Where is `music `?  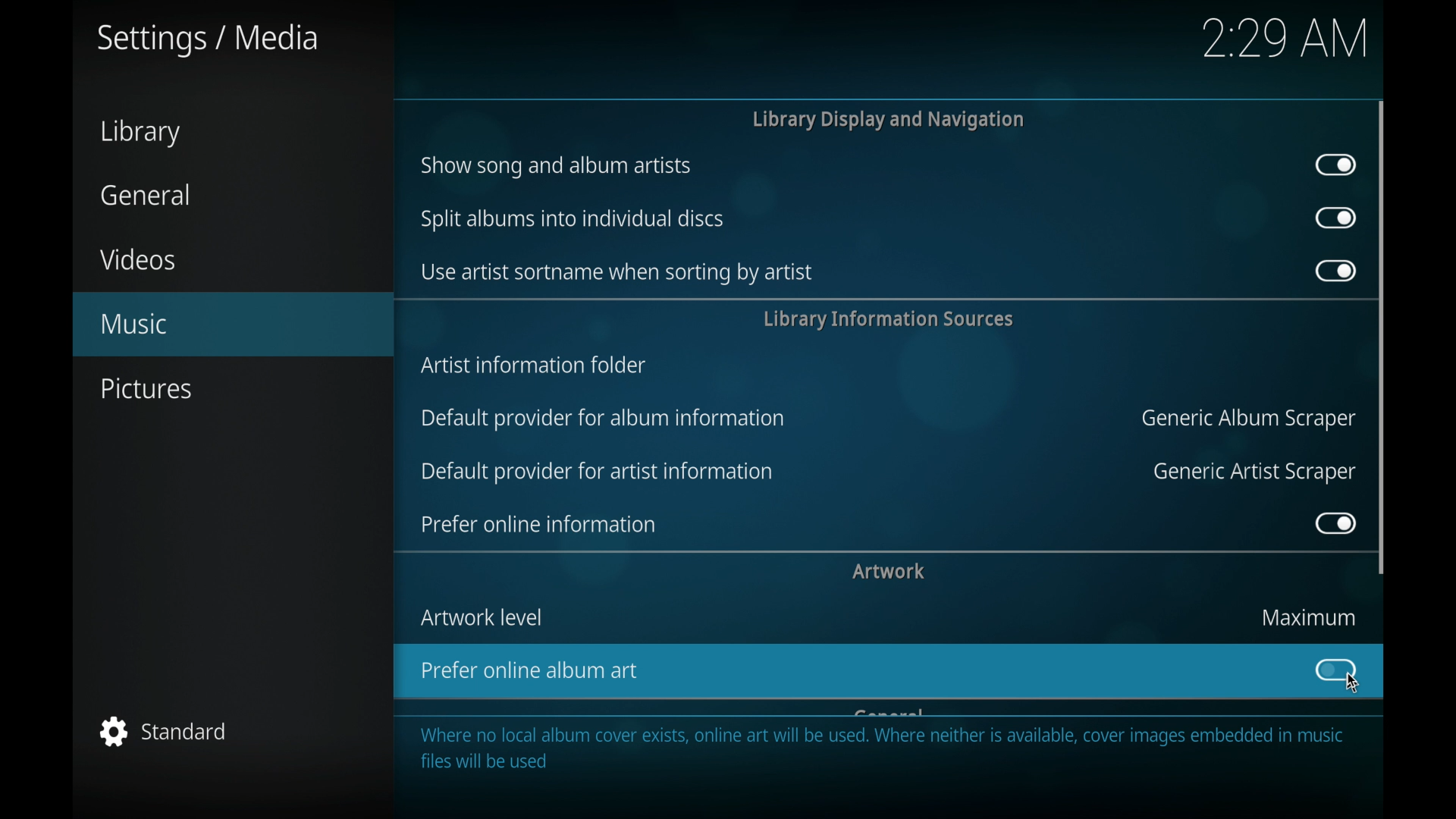
music  is located at coordinates (232, 325).